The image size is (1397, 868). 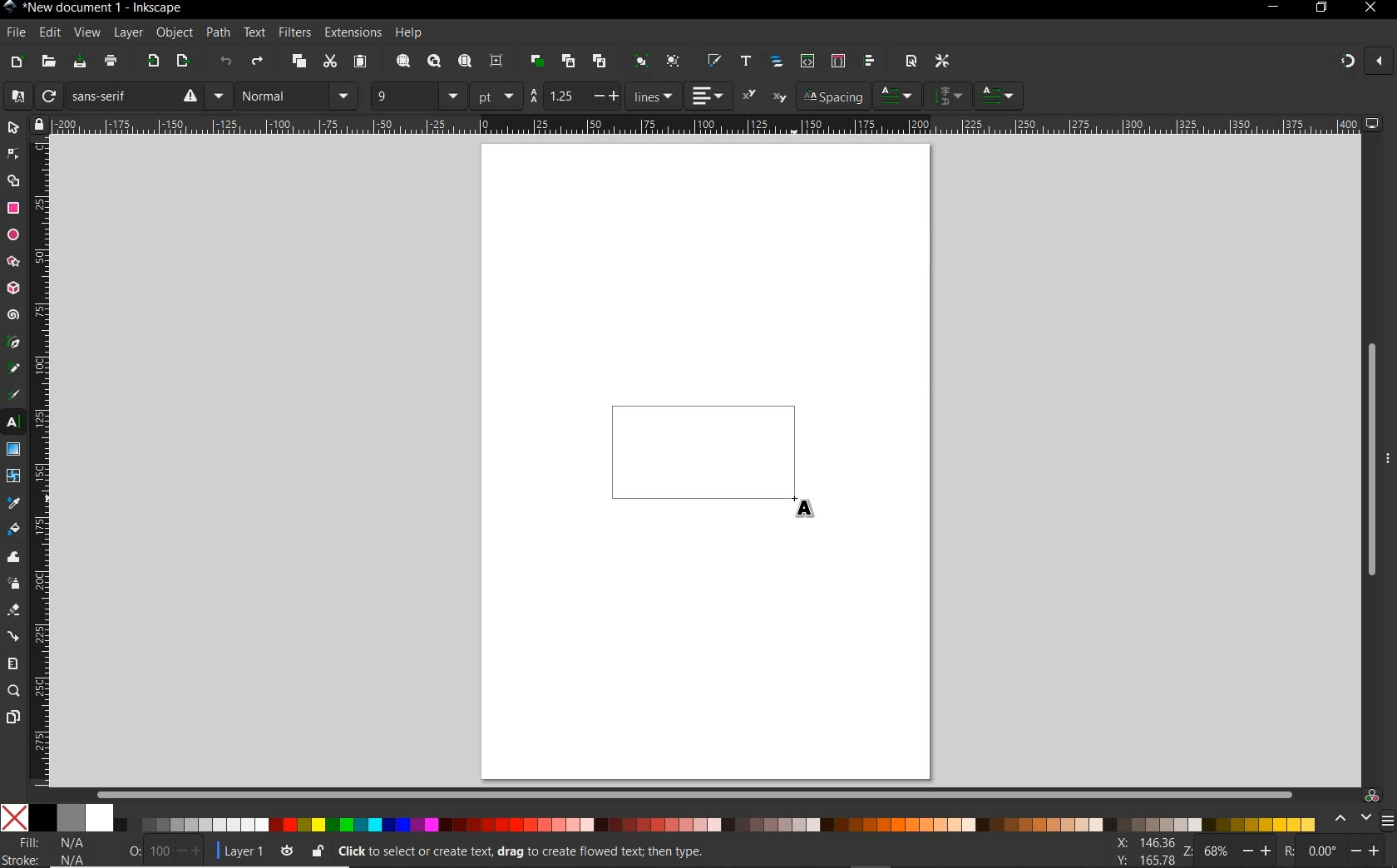 I want to click on object, so click(x=172, y=33).